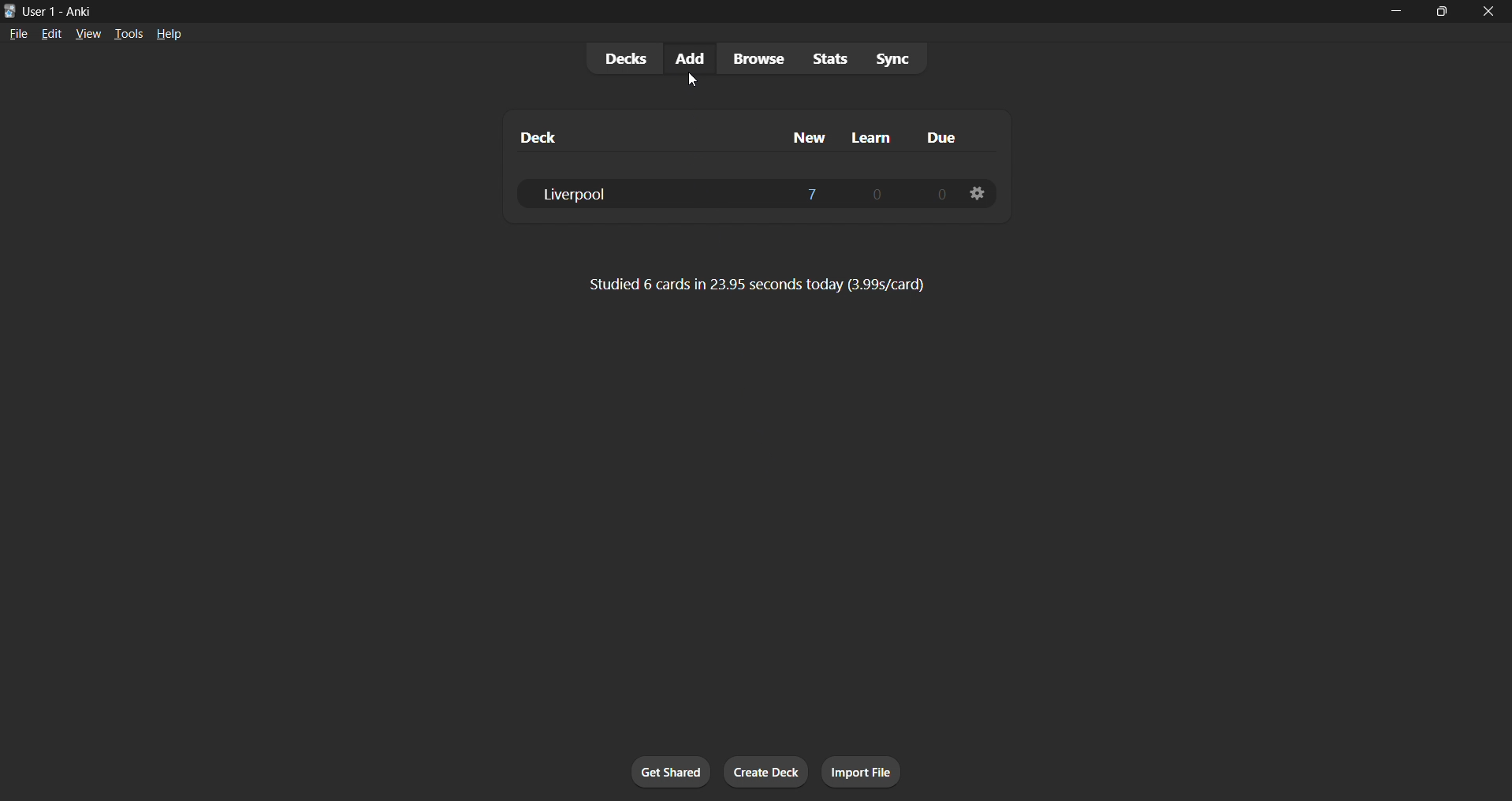 The height and width of the screenshot is (801, 1512). I want to click on title bar, so click(681, 9).